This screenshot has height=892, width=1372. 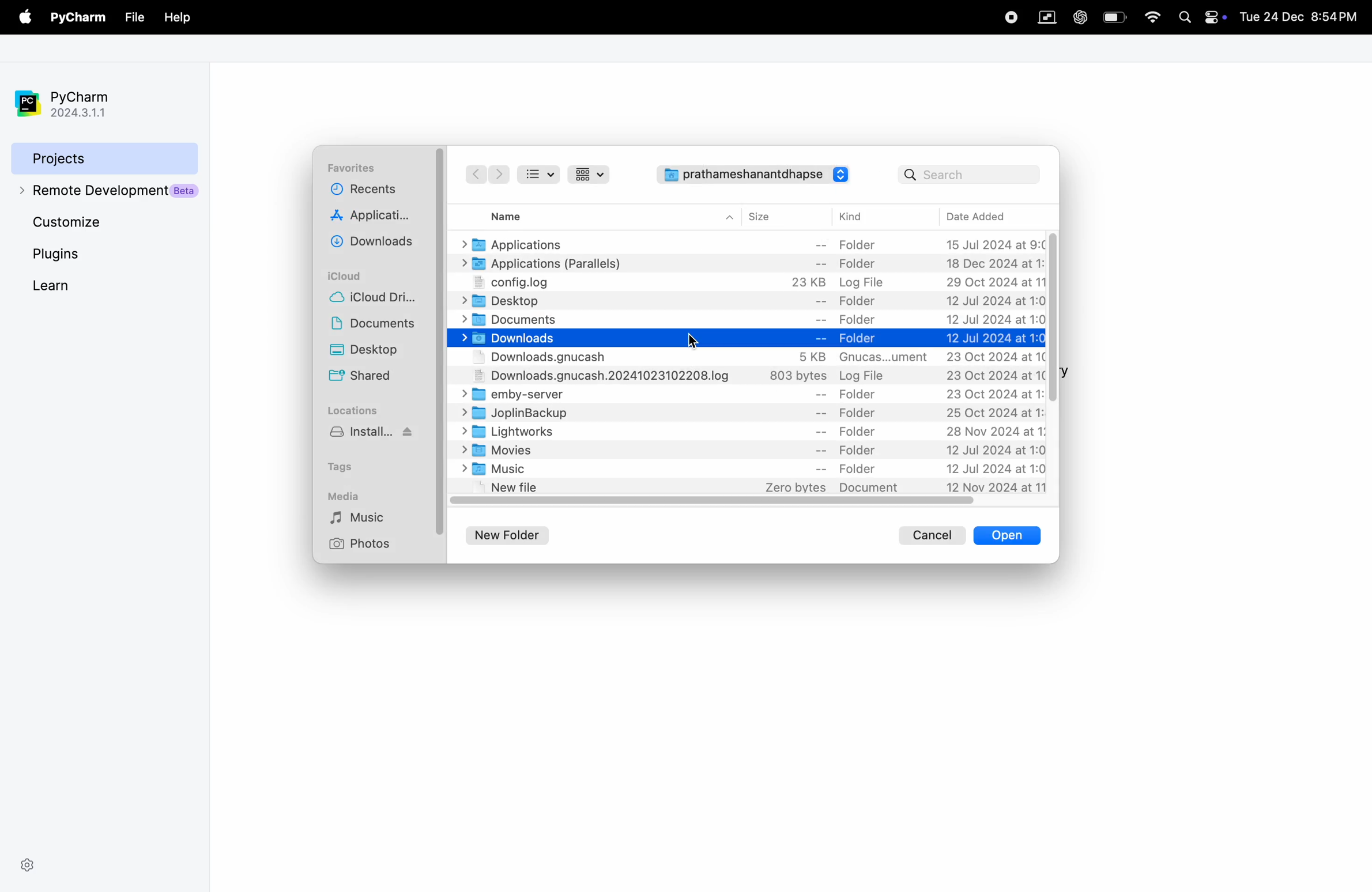 I want to click on prathameshanantdhapse, so click(x=741, y=178).